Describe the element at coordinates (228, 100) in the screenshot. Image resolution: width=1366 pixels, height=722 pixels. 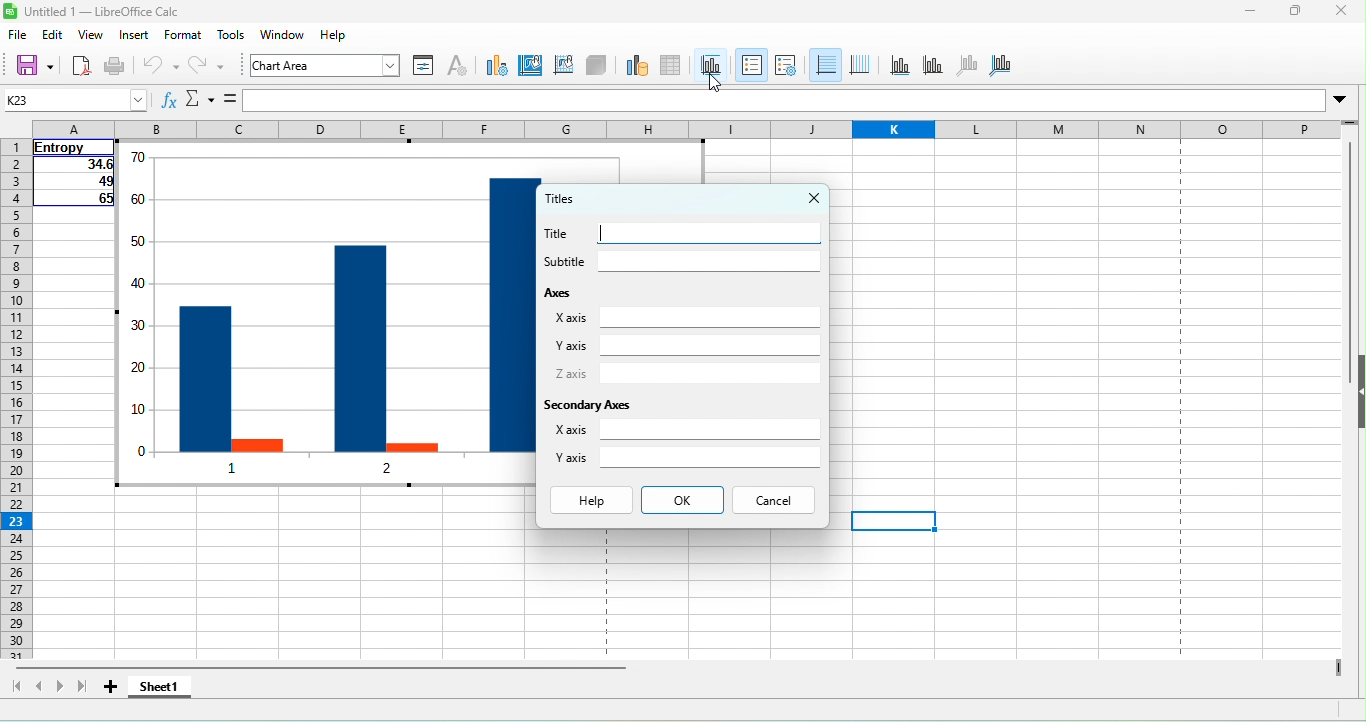
I see `formula` at that location.